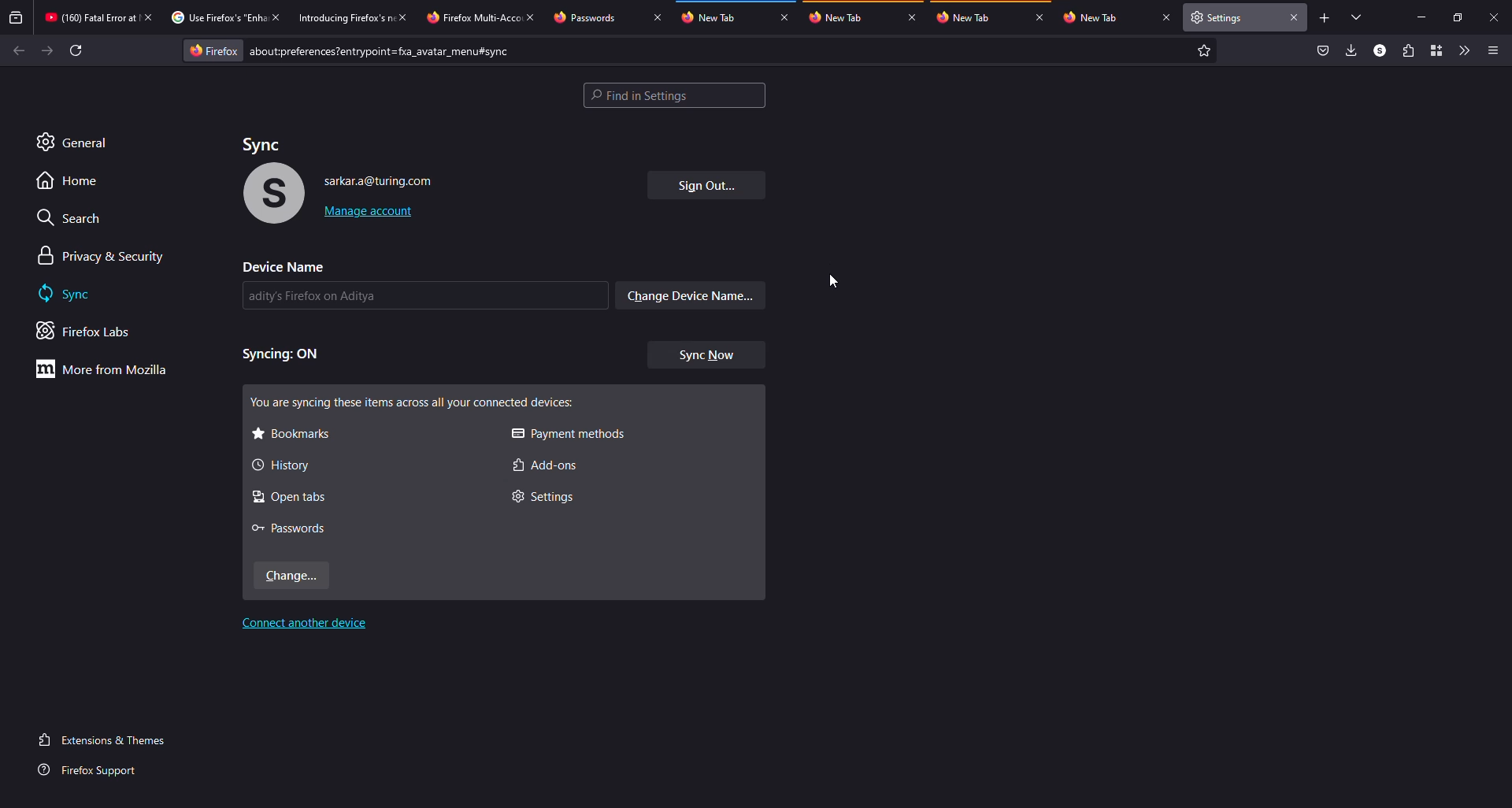 The width and height of the screenshot is (1512, 808). What do you see at coordinates (472, 17) in the screenshot?
I see `tab` at bounding box center [472, 17].